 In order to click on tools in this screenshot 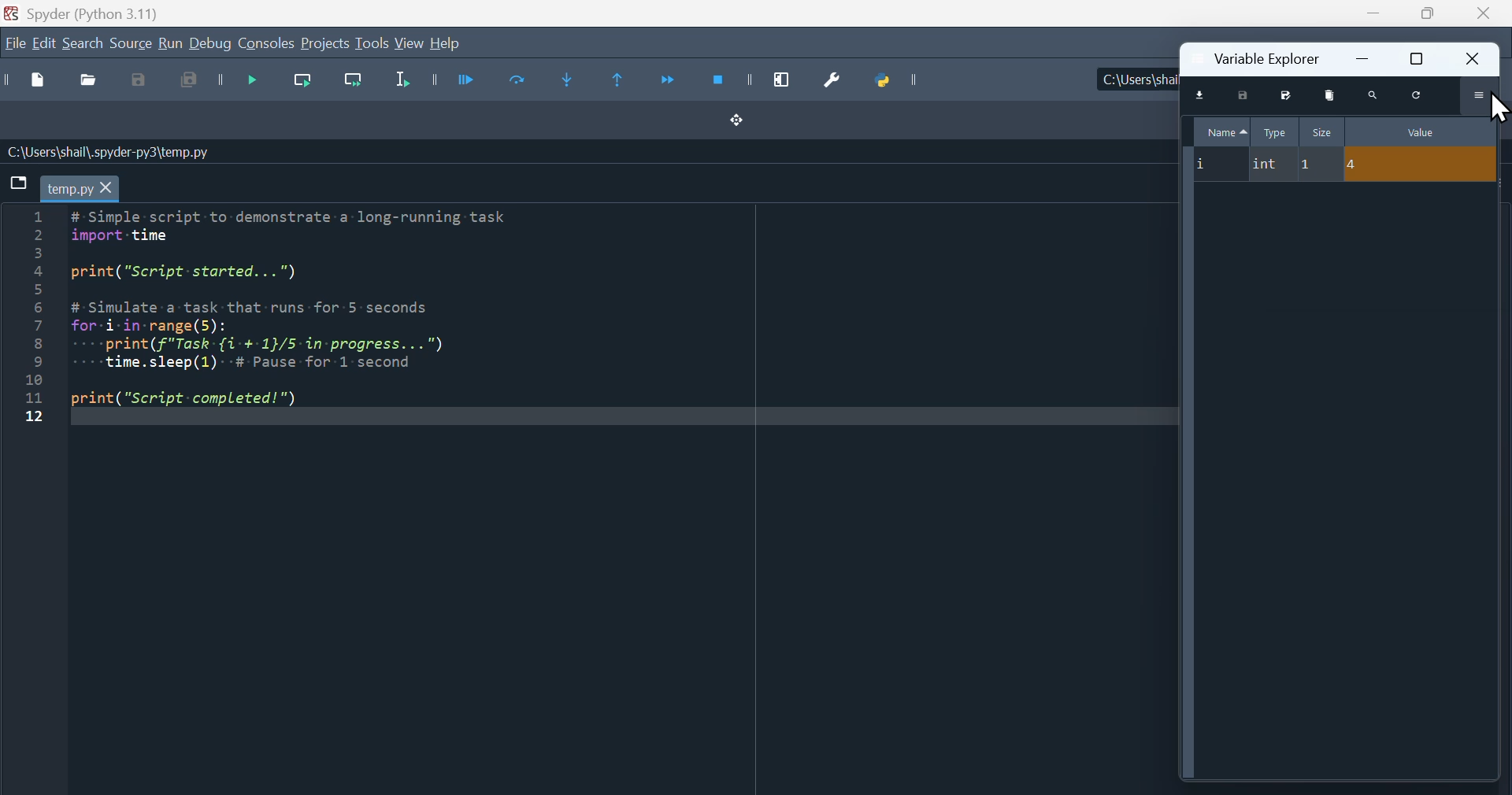, I will do `click(372, 43)`.